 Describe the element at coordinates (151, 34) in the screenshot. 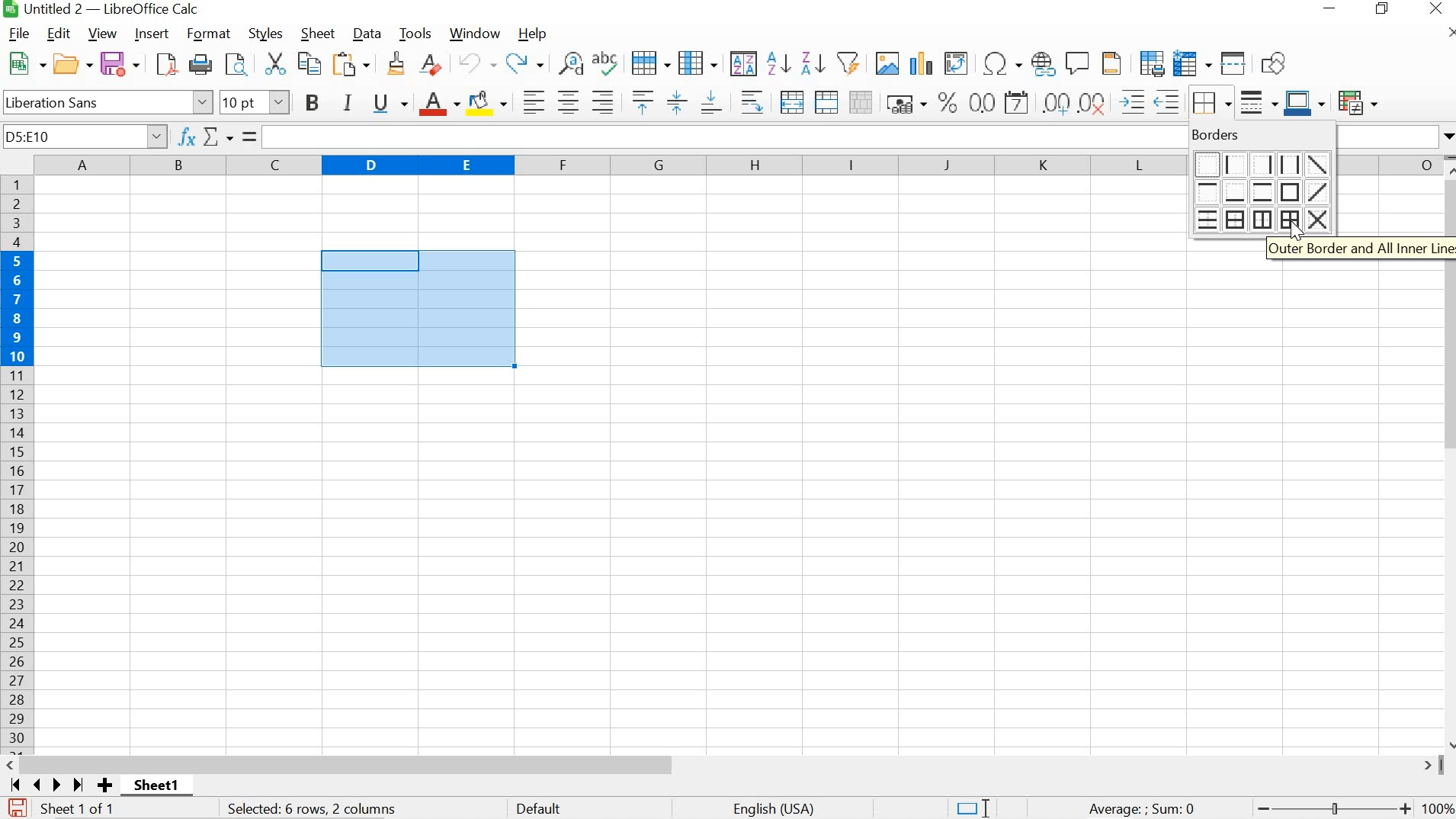

I see `INSERT` at that location.